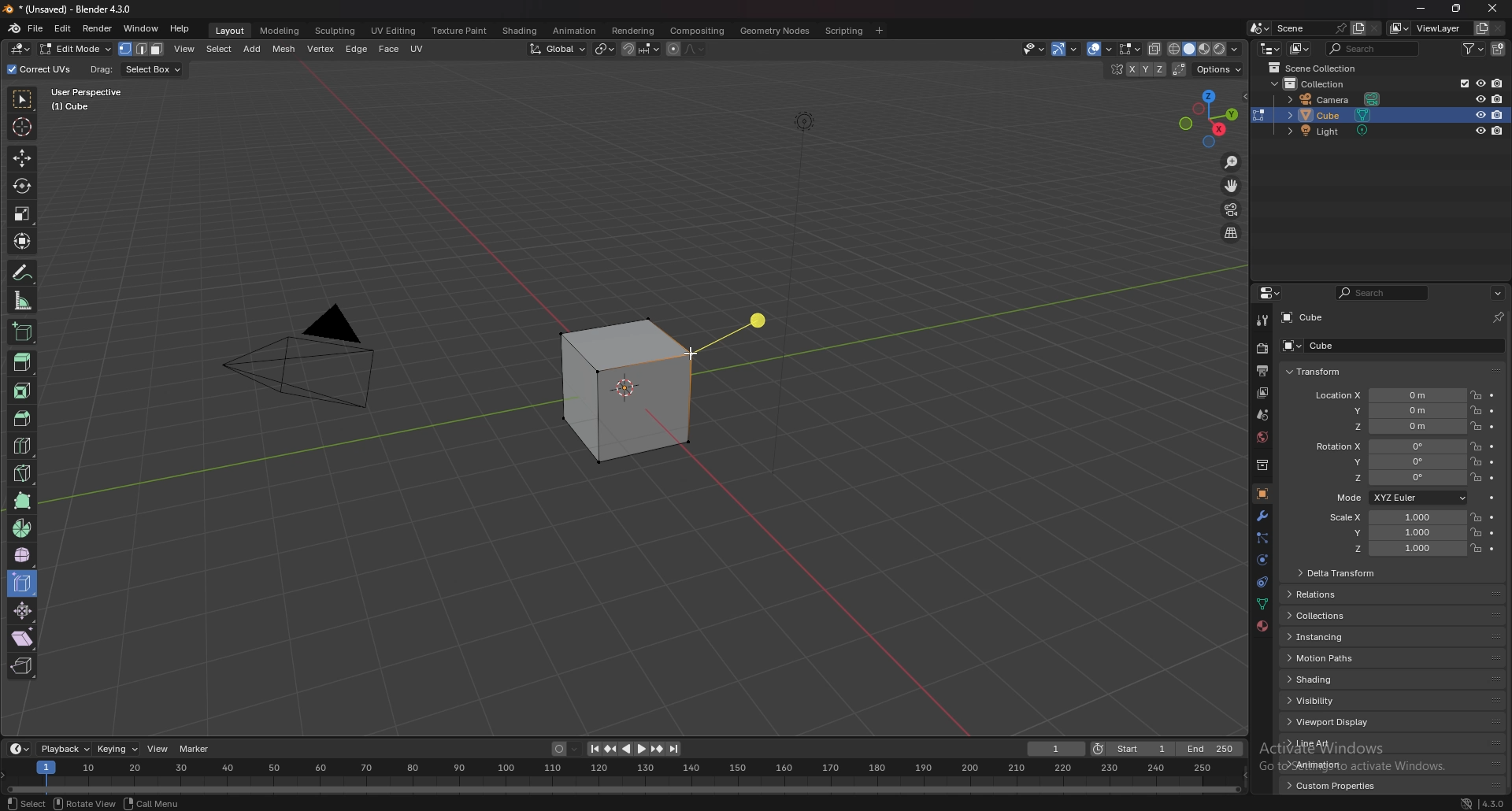  What do you see at coordinates (1265, 413) in the screenshot?
I see `scene` at bounding box center [1265, 413].